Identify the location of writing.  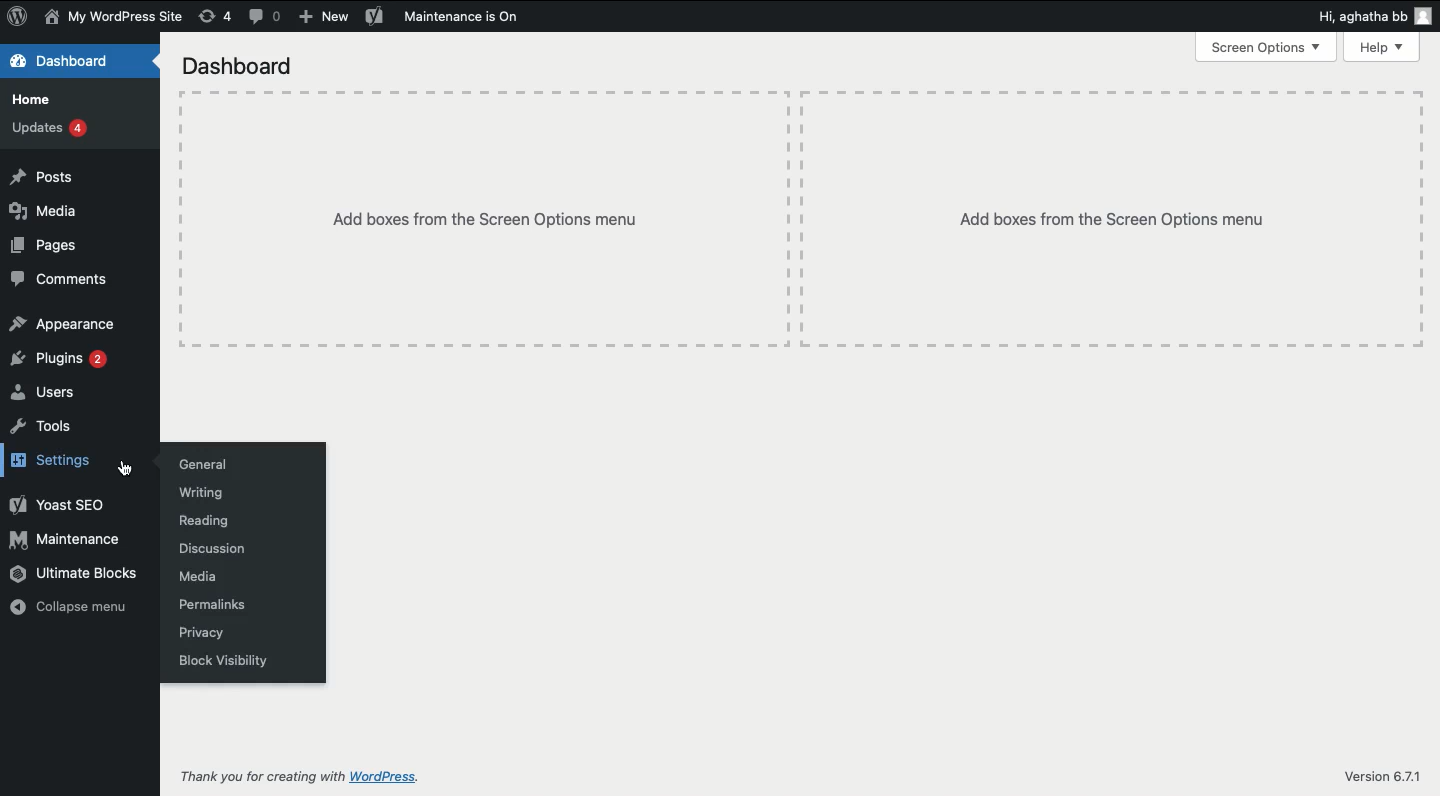
(196, 493).